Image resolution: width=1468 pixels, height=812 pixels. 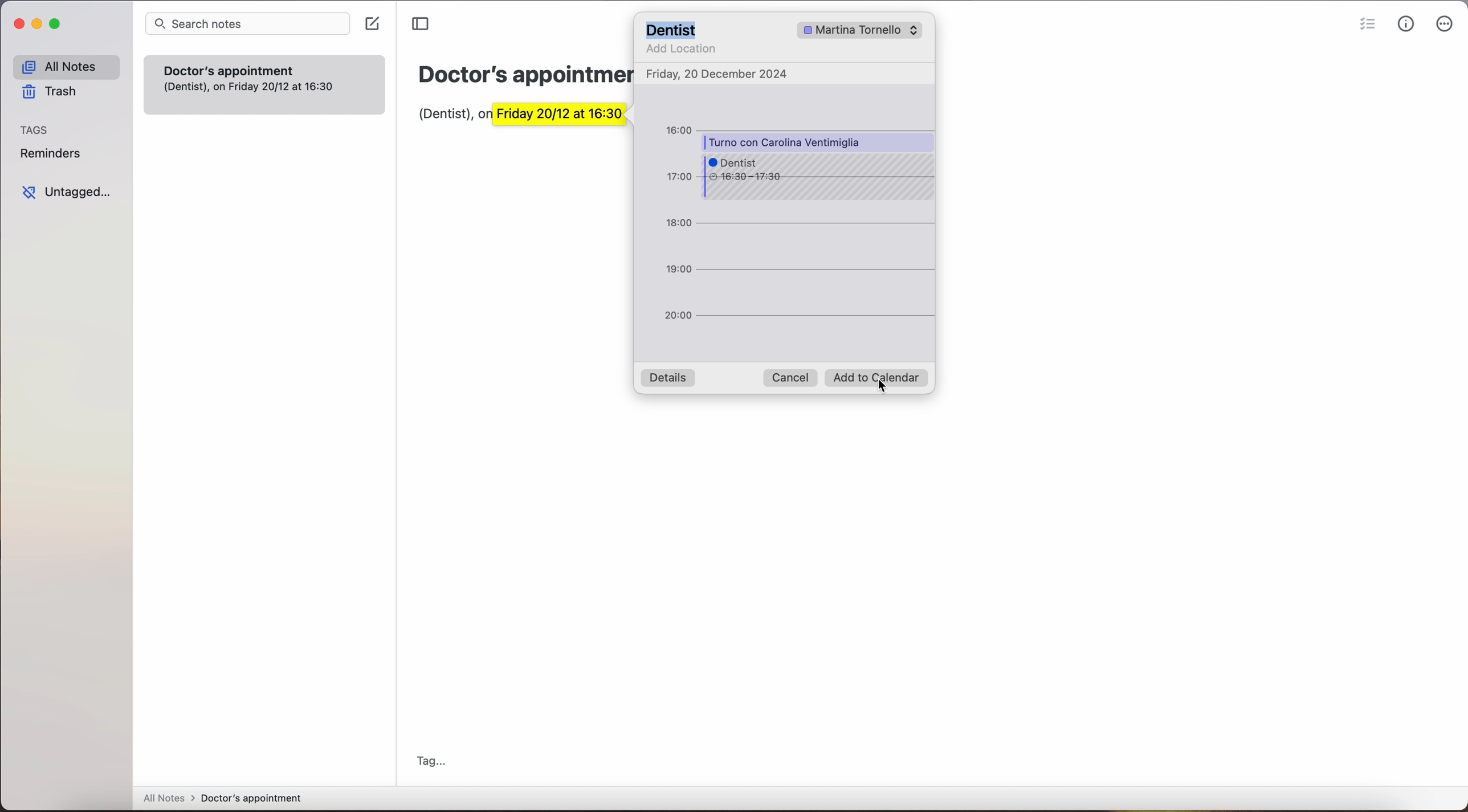 What do you see at coordinates (246, 23) in the screenshot?
I see `Search notes` at bounding box center [246, 23].